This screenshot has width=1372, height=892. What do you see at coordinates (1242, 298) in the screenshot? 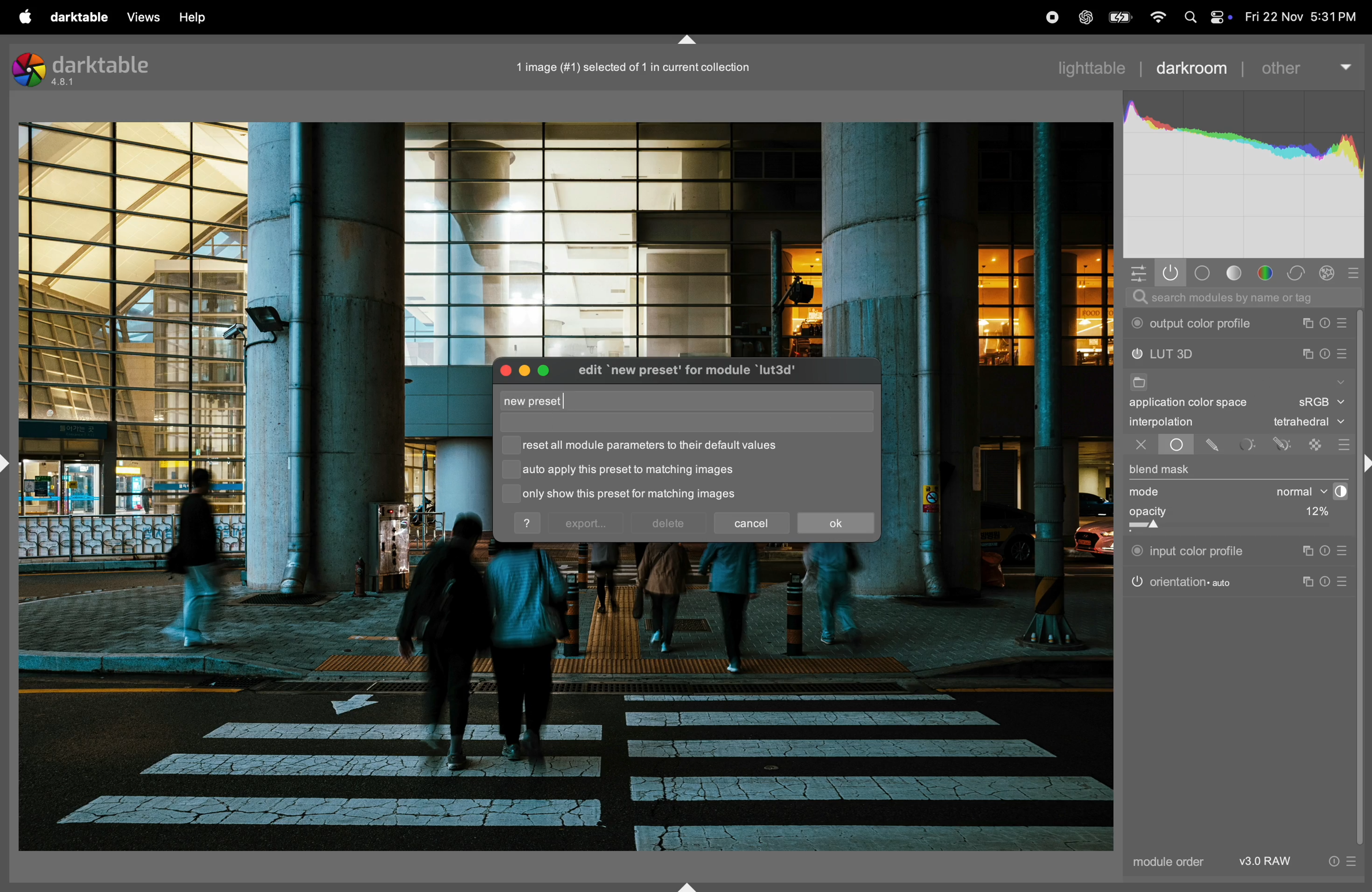
I see `searchbar` at bounding box center [1242, 298].